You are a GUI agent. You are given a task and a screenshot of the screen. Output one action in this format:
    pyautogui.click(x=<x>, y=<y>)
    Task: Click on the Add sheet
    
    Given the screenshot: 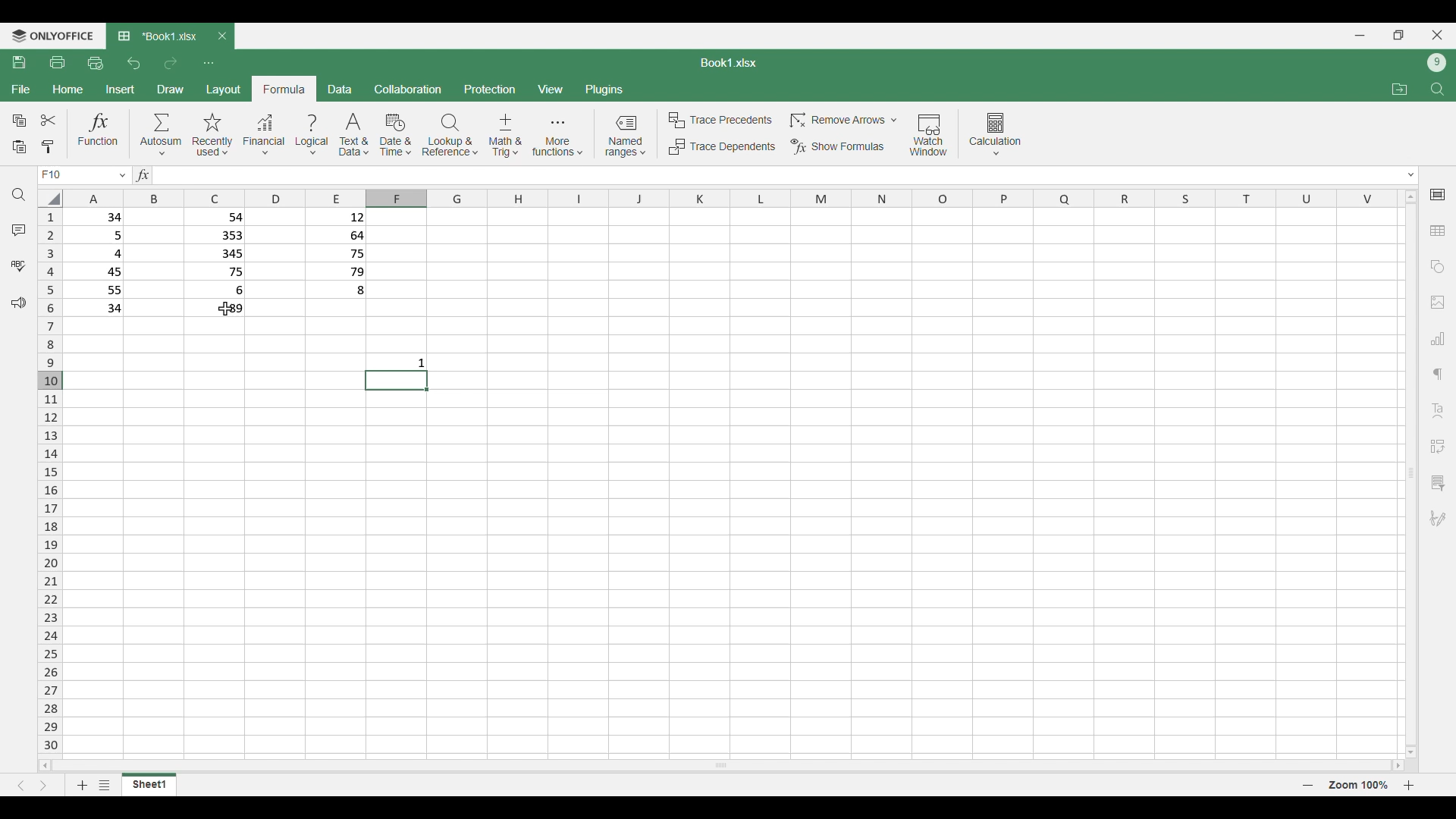 What is the action you would take?
    pyautogui.click(x=83, y=785)
    